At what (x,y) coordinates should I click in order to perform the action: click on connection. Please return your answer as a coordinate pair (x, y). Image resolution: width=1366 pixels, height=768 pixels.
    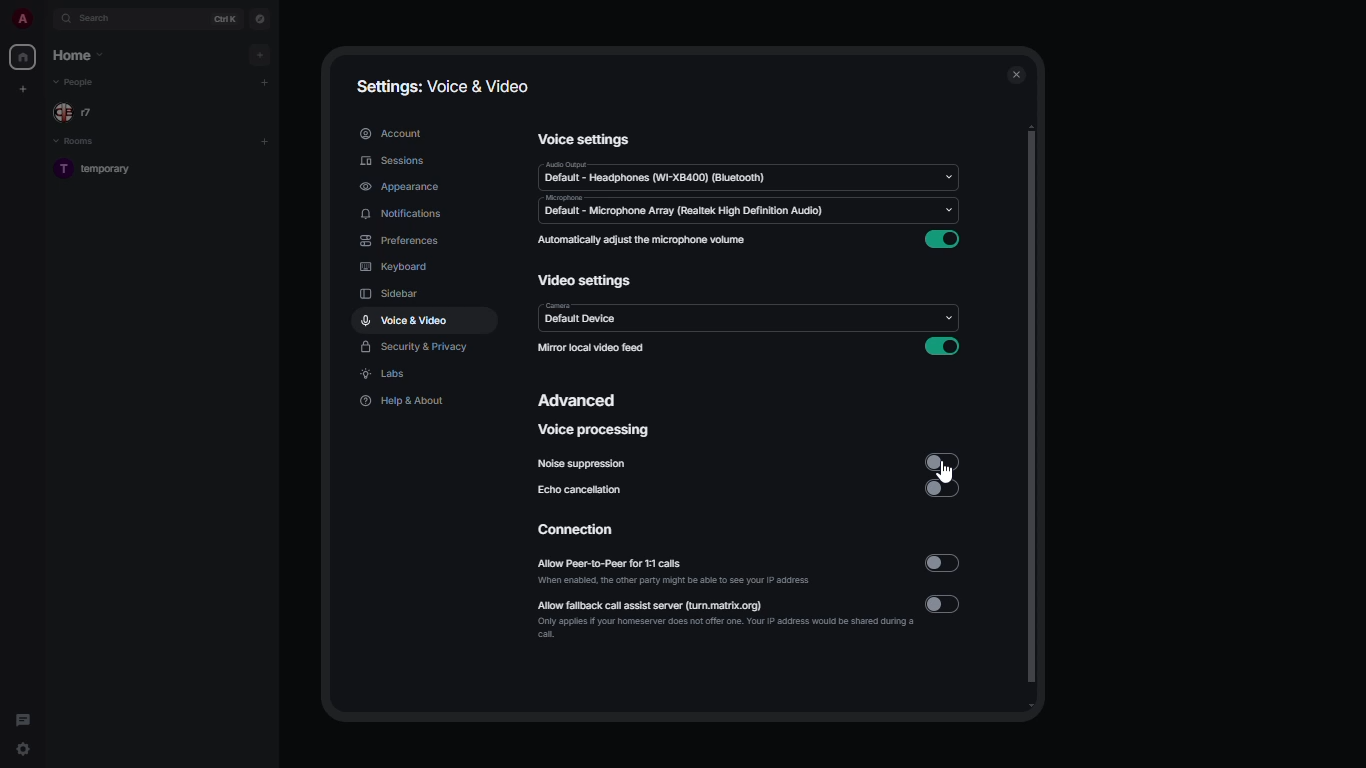
    Looking at the image, I should click on (585, 530).